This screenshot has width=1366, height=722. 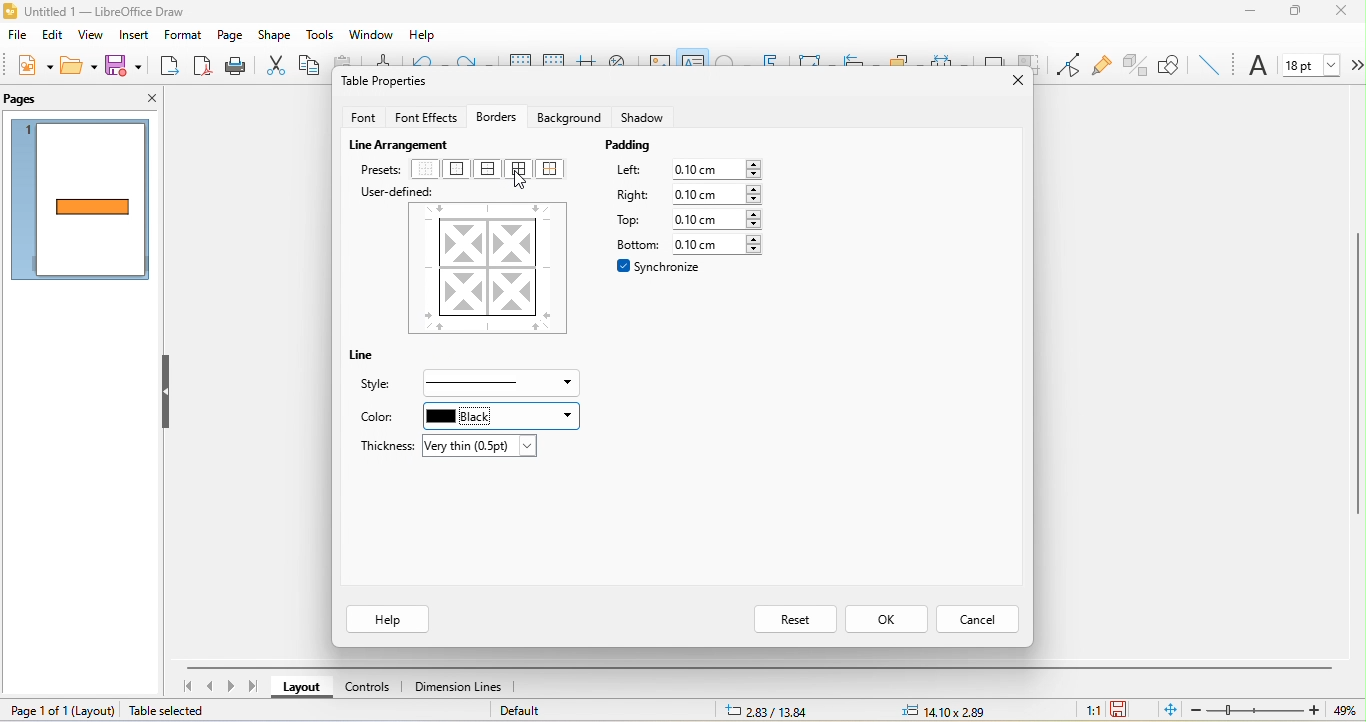 What do you see at coordinates (82, 66) in the screenshot?
I see `open` at bounding box center [82, 66].